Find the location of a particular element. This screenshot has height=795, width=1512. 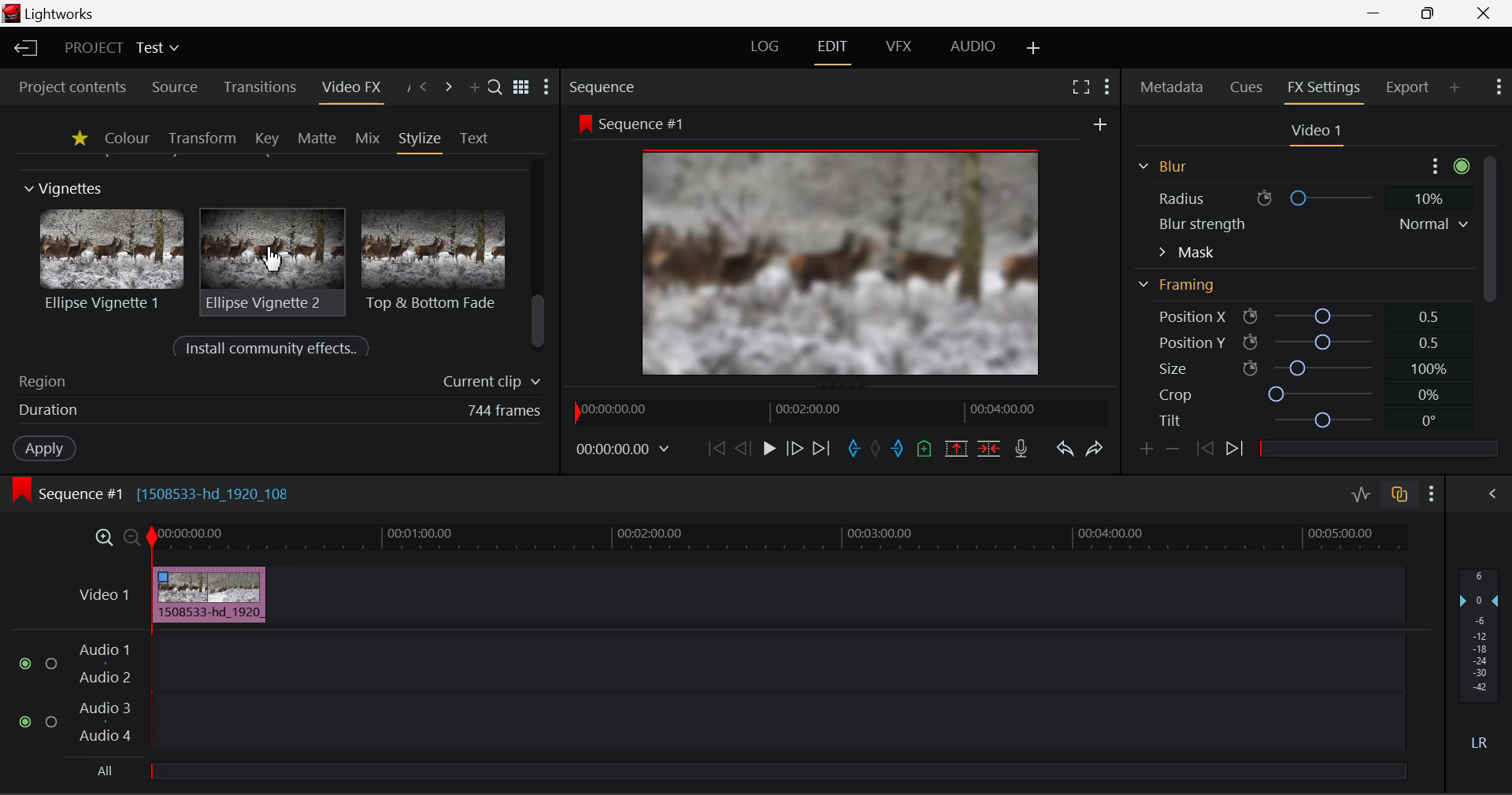

Cursor MOUSE_DOWN Position is located at coordinates (273, 260).